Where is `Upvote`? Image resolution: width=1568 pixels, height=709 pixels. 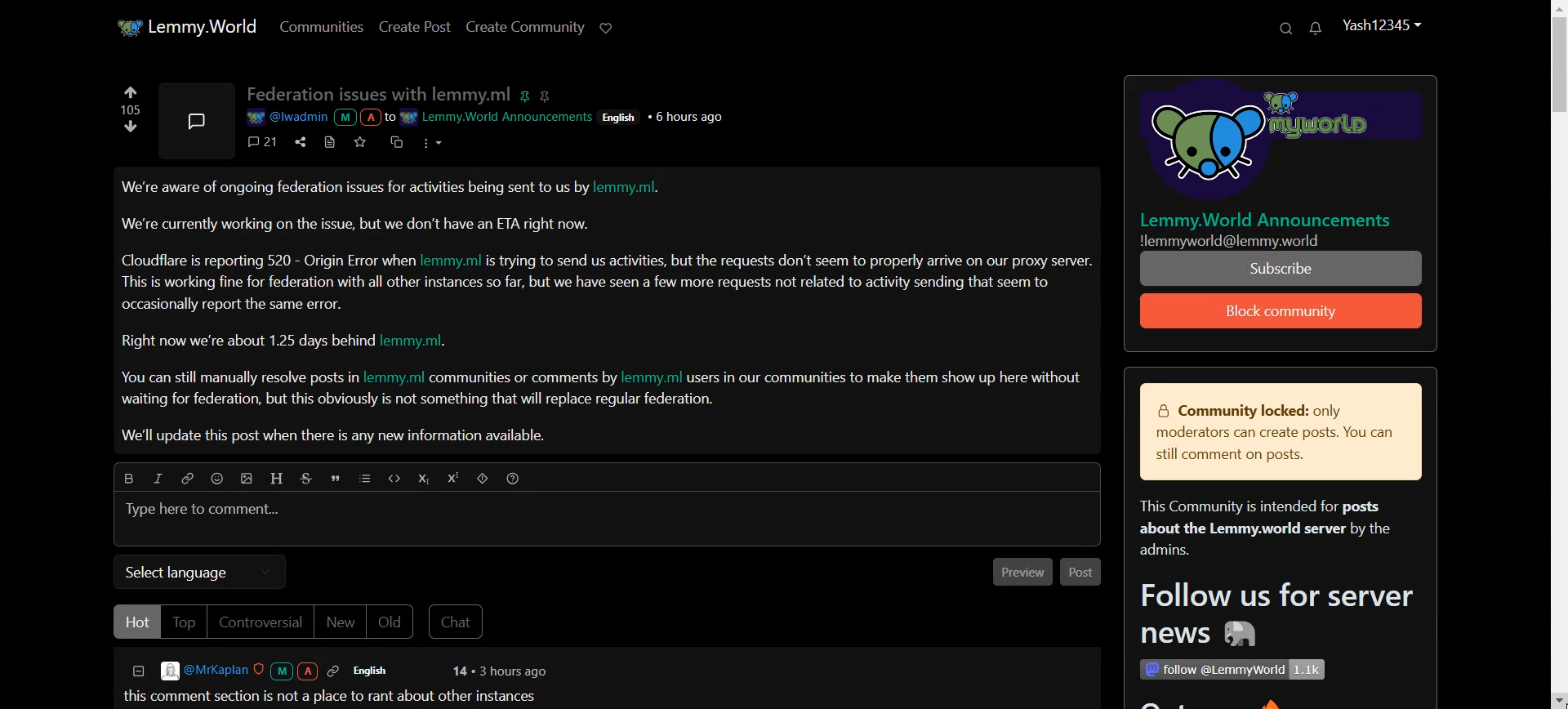
Upvote is located at coordinates (131, 91).